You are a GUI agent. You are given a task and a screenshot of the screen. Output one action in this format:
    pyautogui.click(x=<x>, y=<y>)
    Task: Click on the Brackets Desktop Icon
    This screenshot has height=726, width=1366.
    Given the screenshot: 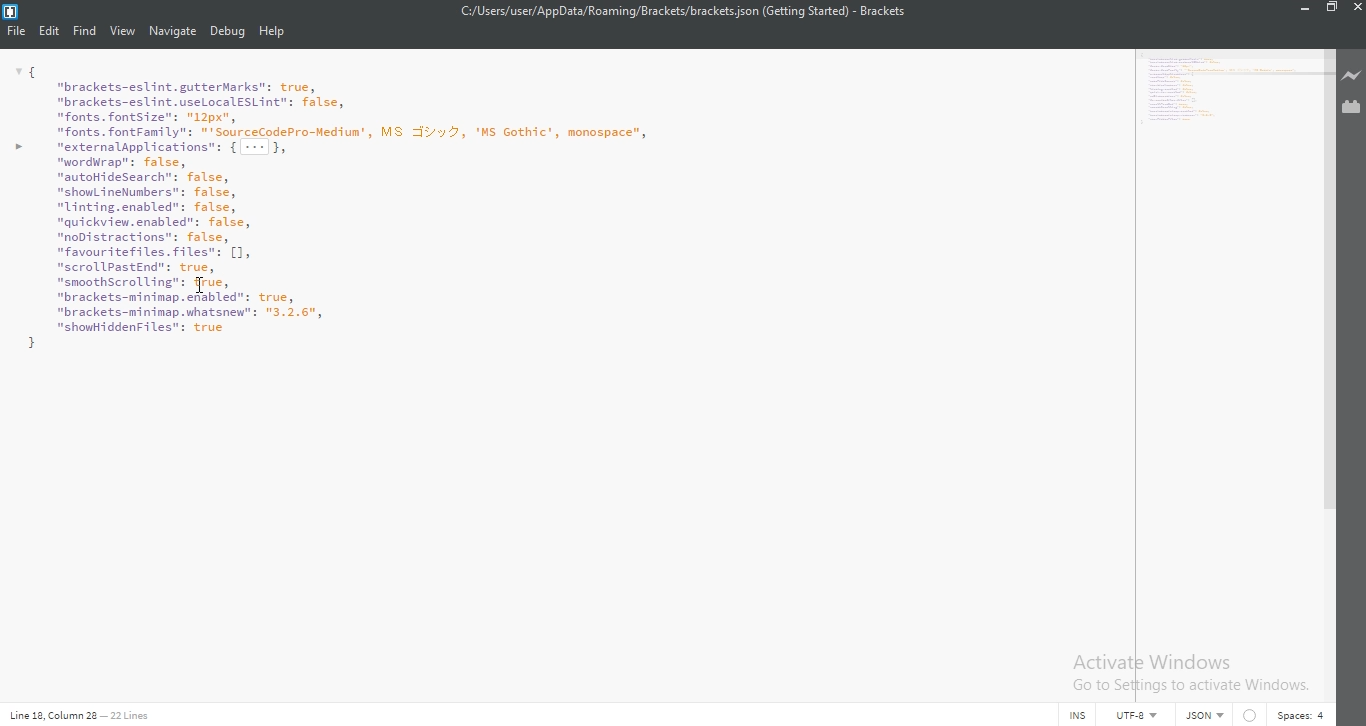 What is the action you would take?
    pyautogui.click(x=10, y=12)
    